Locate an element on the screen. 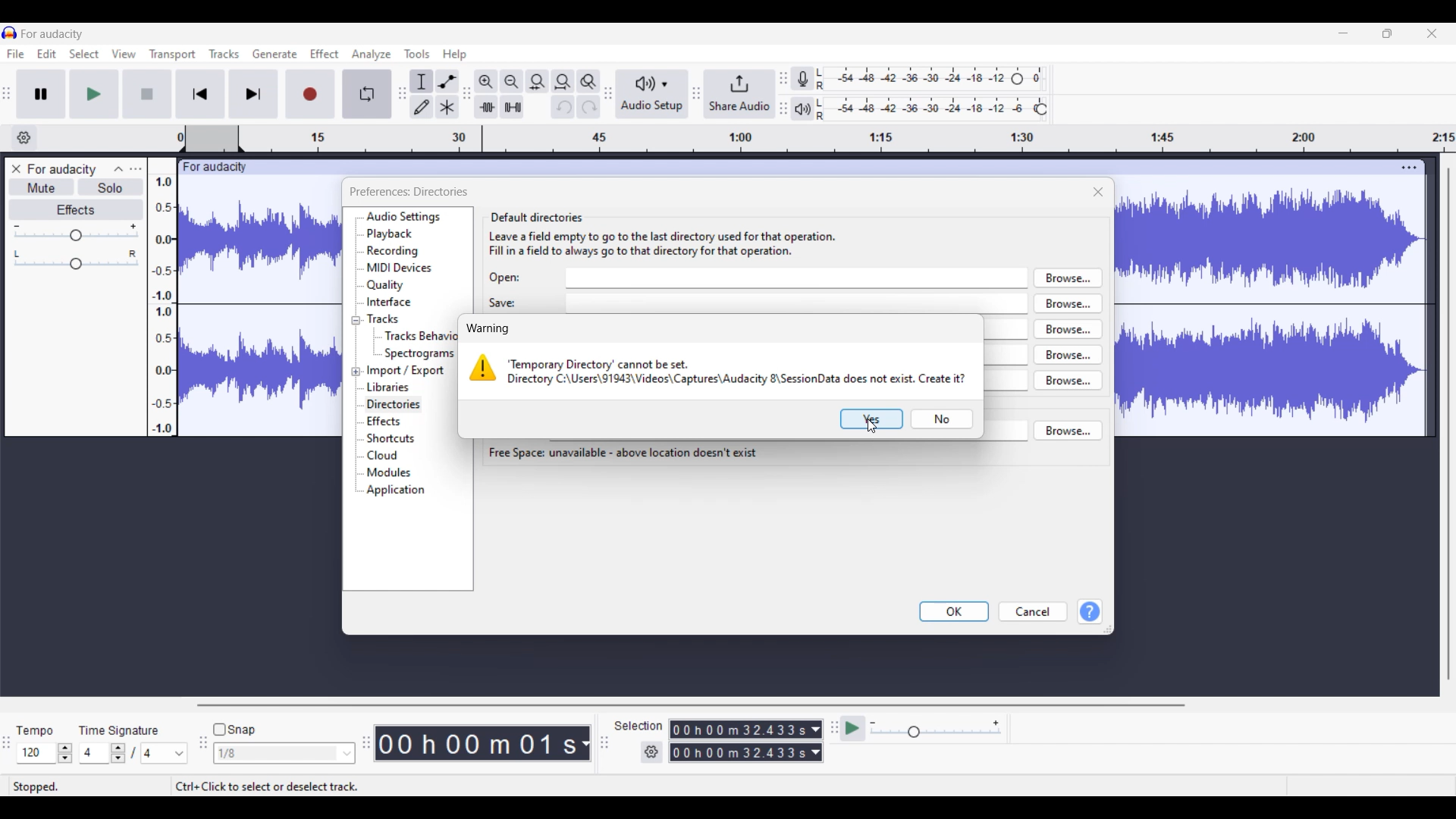 Image resolution: width=1456 pixels, height=819 pixels. Snap options is located at coordinates (284, 753).